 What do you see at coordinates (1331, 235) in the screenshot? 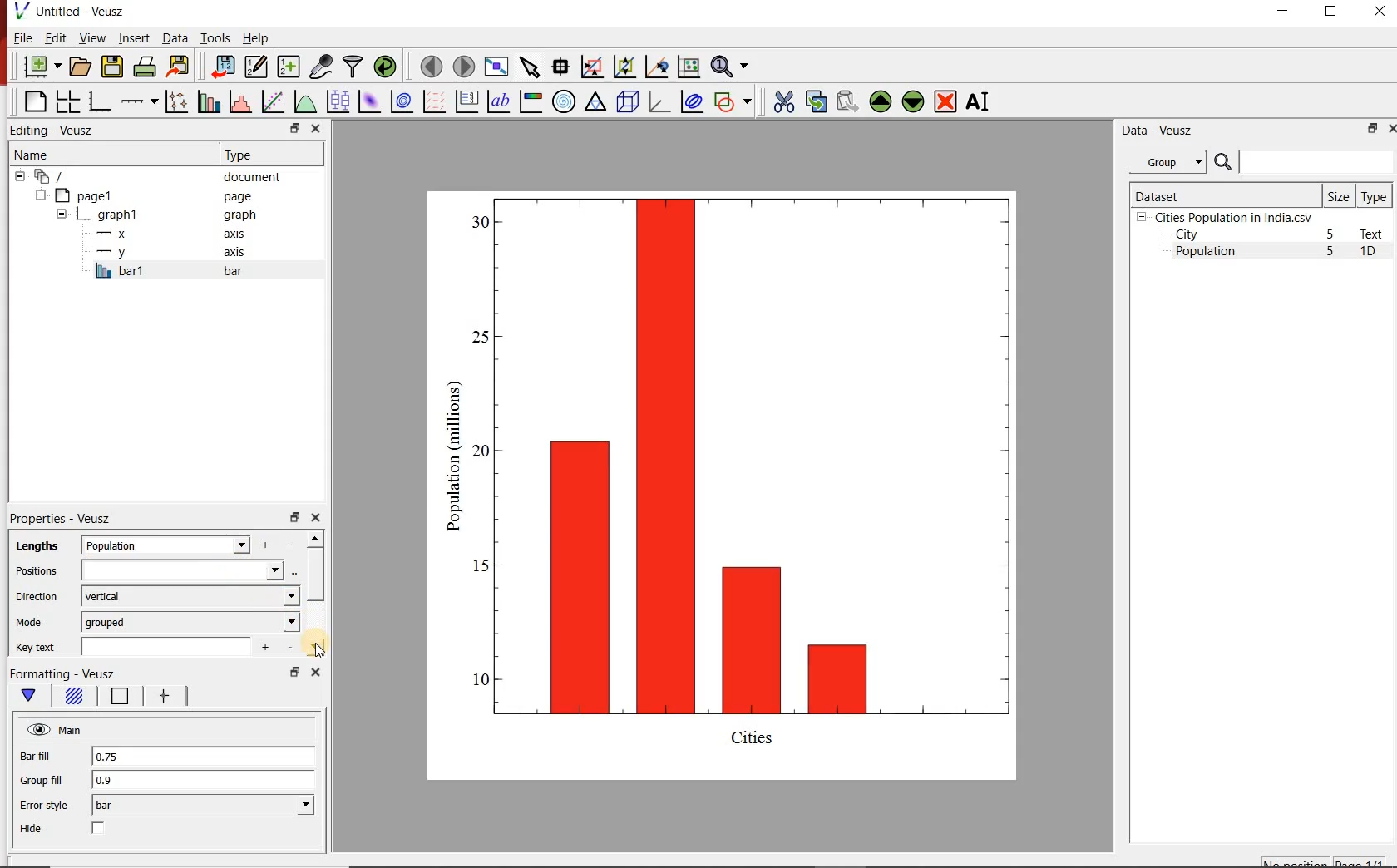
I see `5` at bounding box center [1331, 235].